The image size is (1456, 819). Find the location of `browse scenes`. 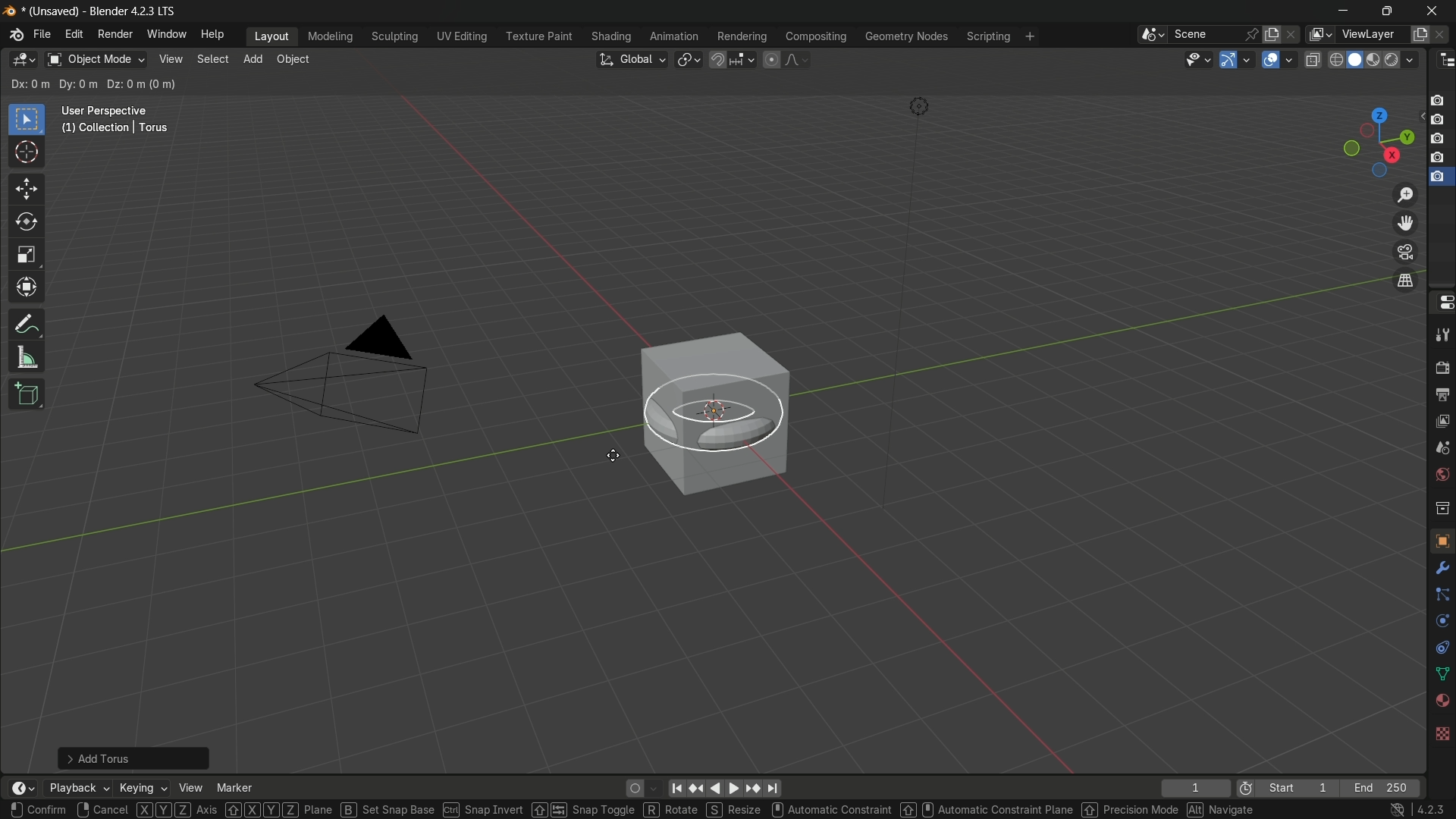

browse scenes is located at coordinates (1153, 35).